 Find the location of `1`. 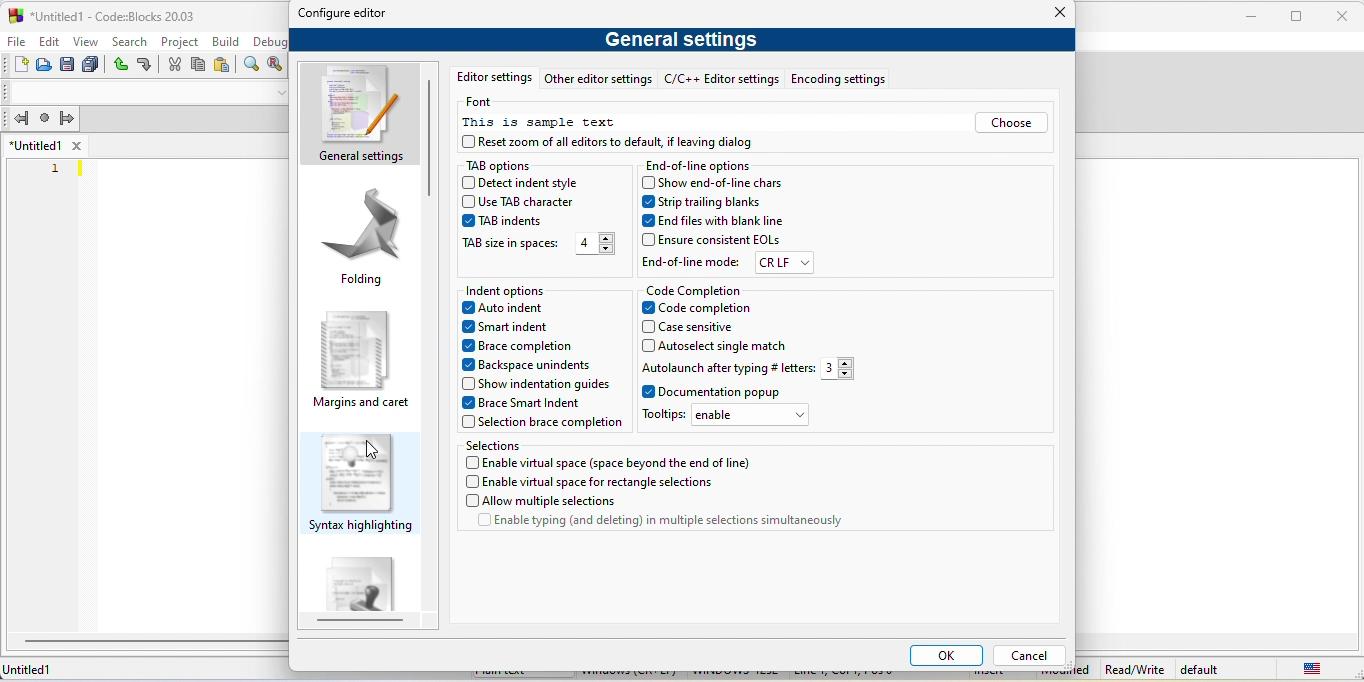

1 is located at coordinates (57, 170).